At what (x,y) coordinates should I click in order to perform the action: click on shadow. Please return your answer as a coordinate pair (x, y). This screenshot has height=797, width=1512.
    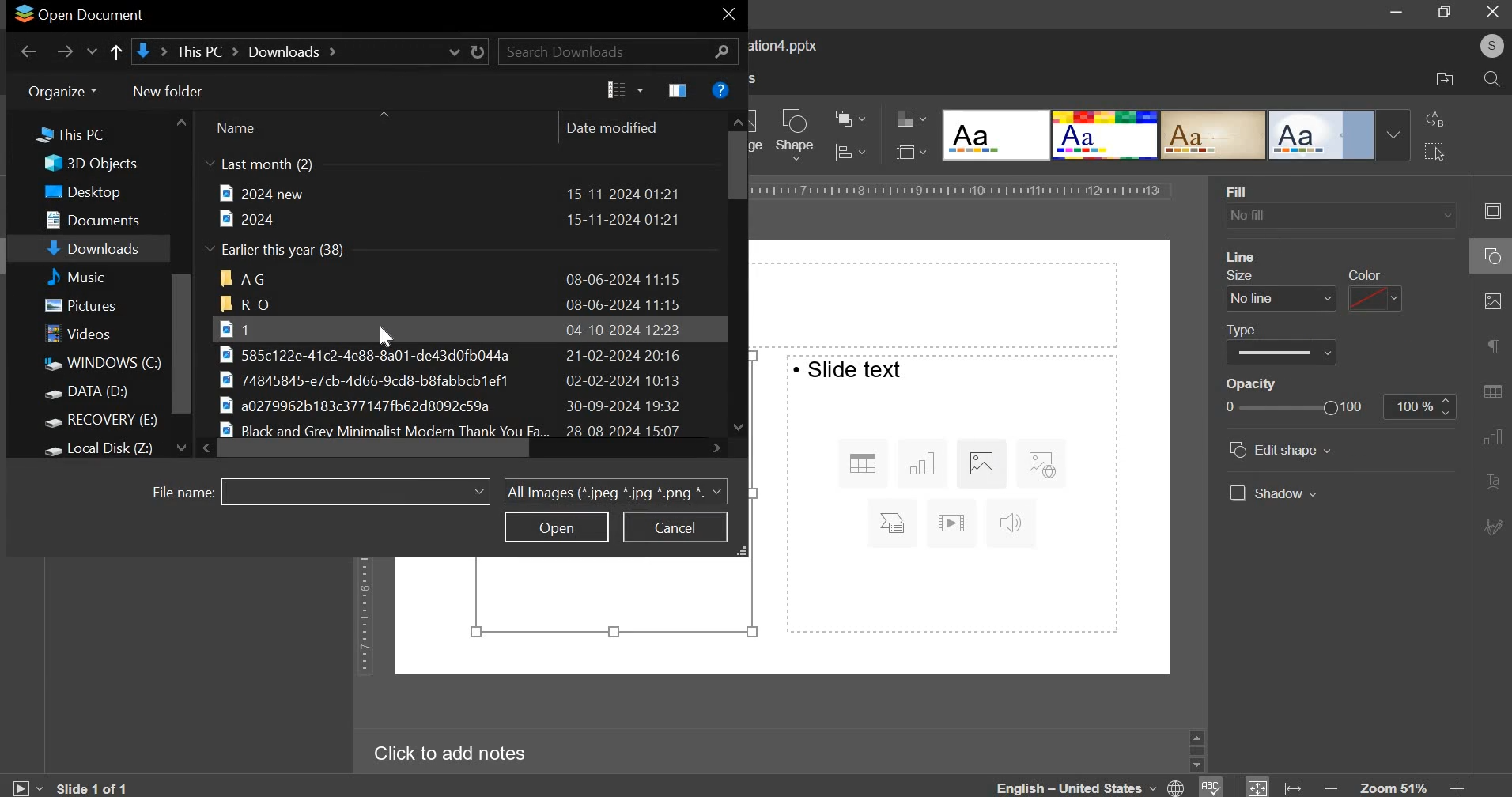
    Looking at the image, I should click on (1272, 493).